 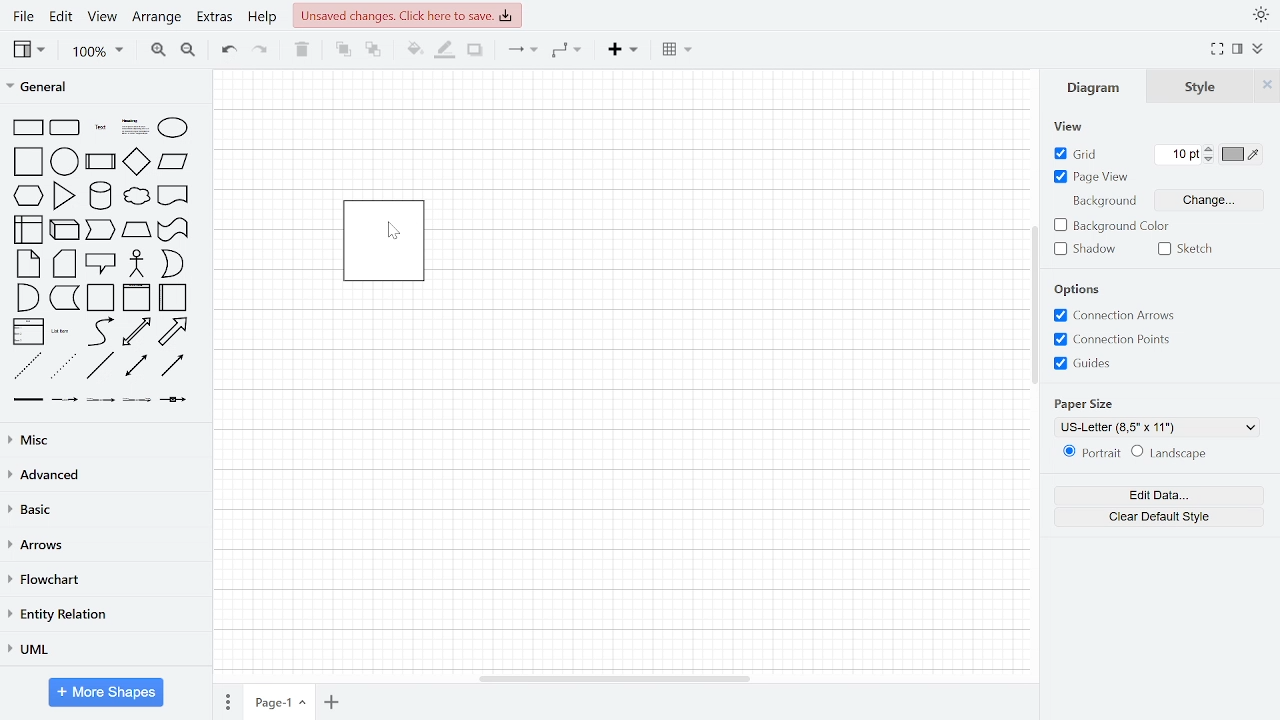 What do you see at coordinates (105, 692) in the screenshot?
I see `more shapes` at bounding box center [105, 692].